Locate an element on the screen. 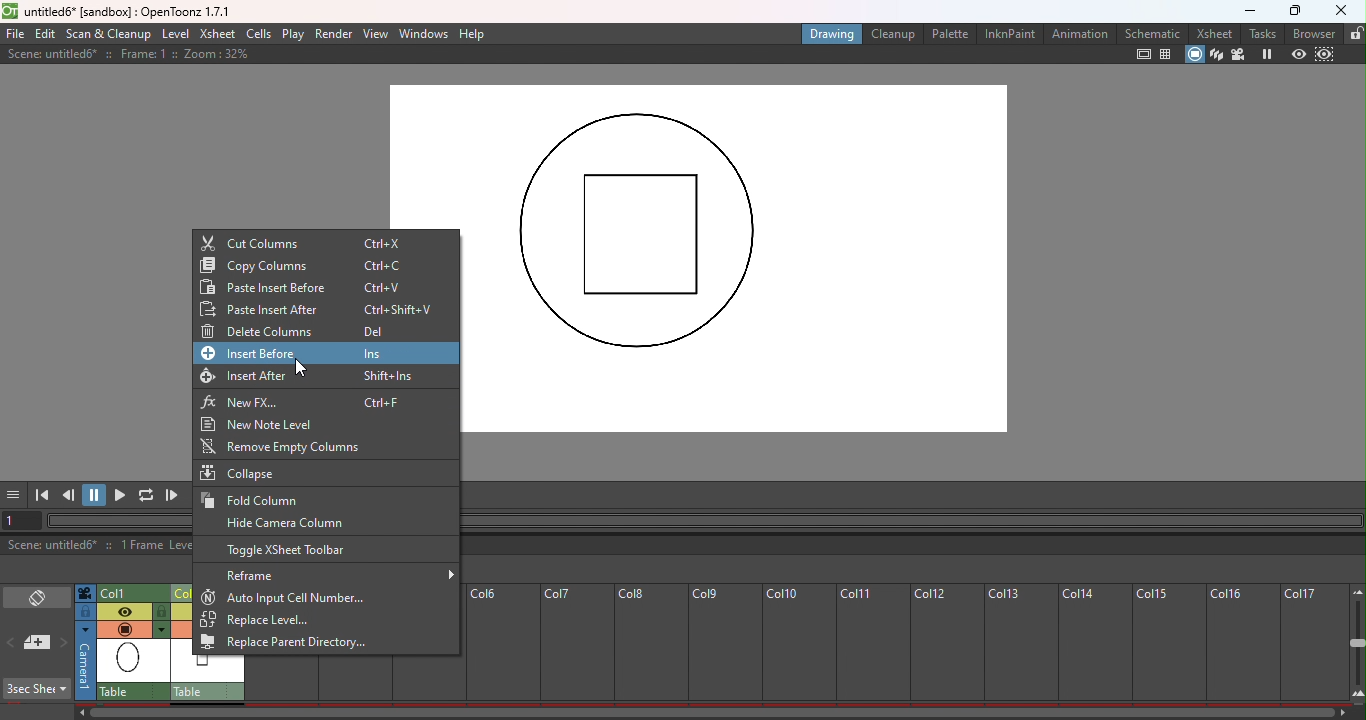 This screenshot has width=1366, height=720. Horizontal scroll bar is located at coordinates (704, 711).